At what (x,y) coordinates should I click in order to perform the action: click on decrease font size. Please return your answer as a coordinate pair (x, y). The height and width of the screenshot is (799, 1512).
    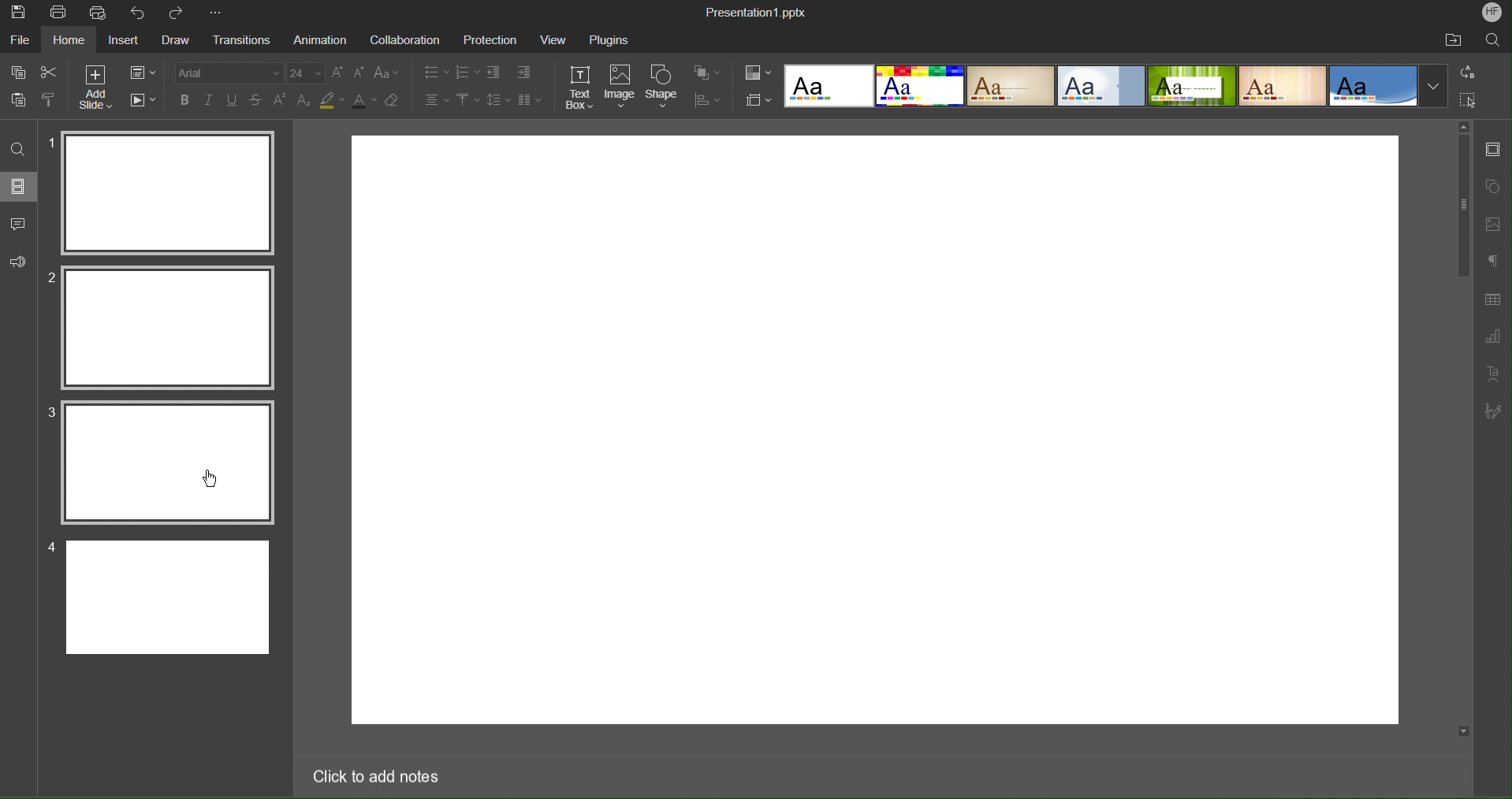
    Looking at the image, I should click on (357, 72).